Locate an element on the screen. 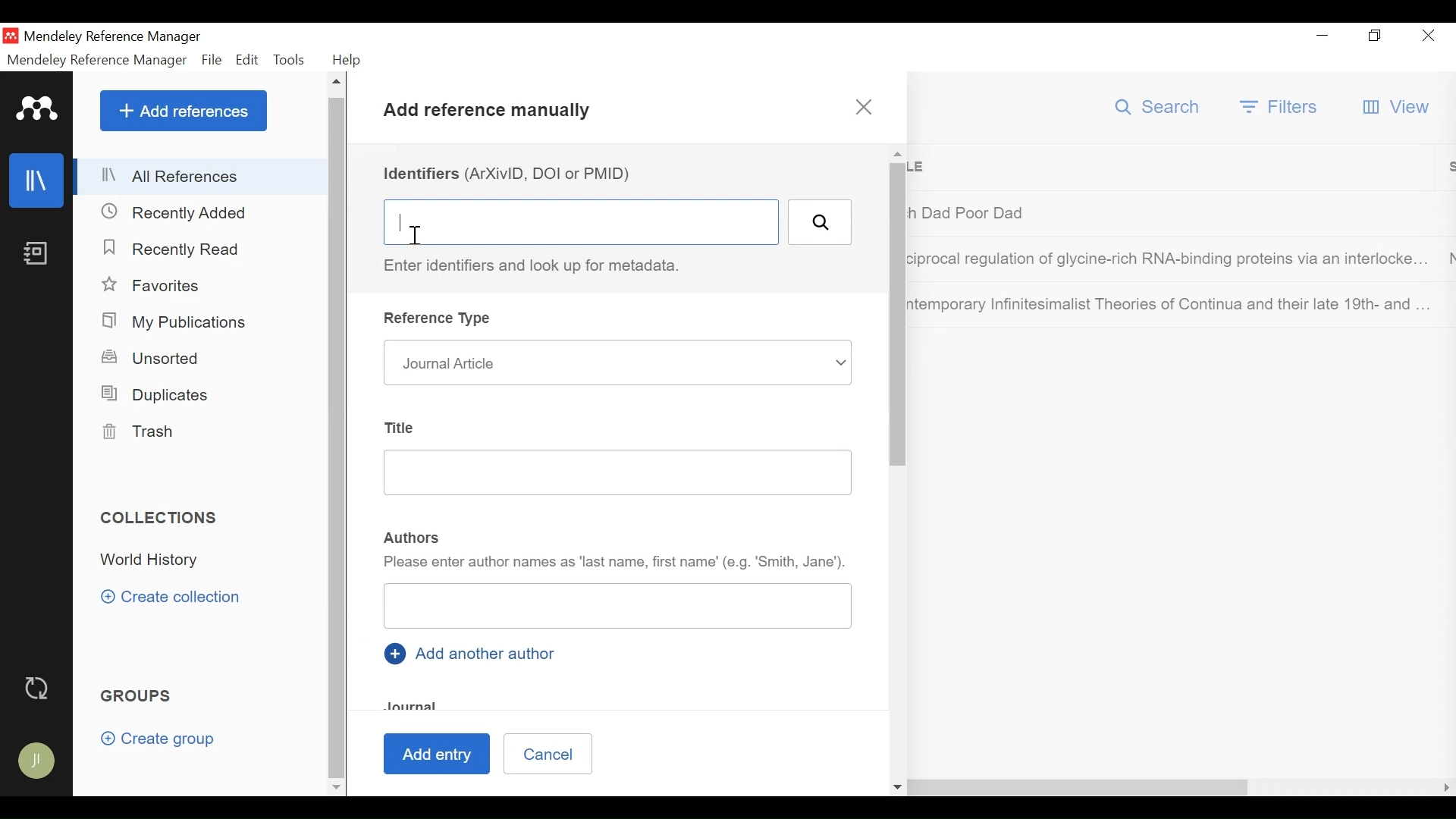 The image size is (1456, 819). Recently Closed is located at coordinates (176, 251).